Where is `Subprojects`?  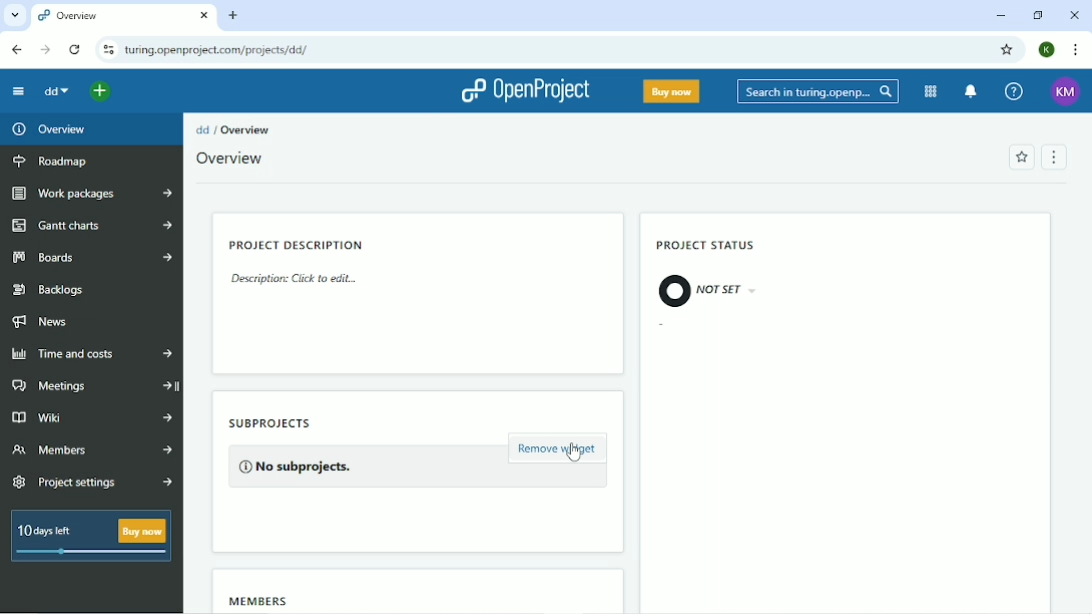
Subprojects is located at coordinates (293, 421).